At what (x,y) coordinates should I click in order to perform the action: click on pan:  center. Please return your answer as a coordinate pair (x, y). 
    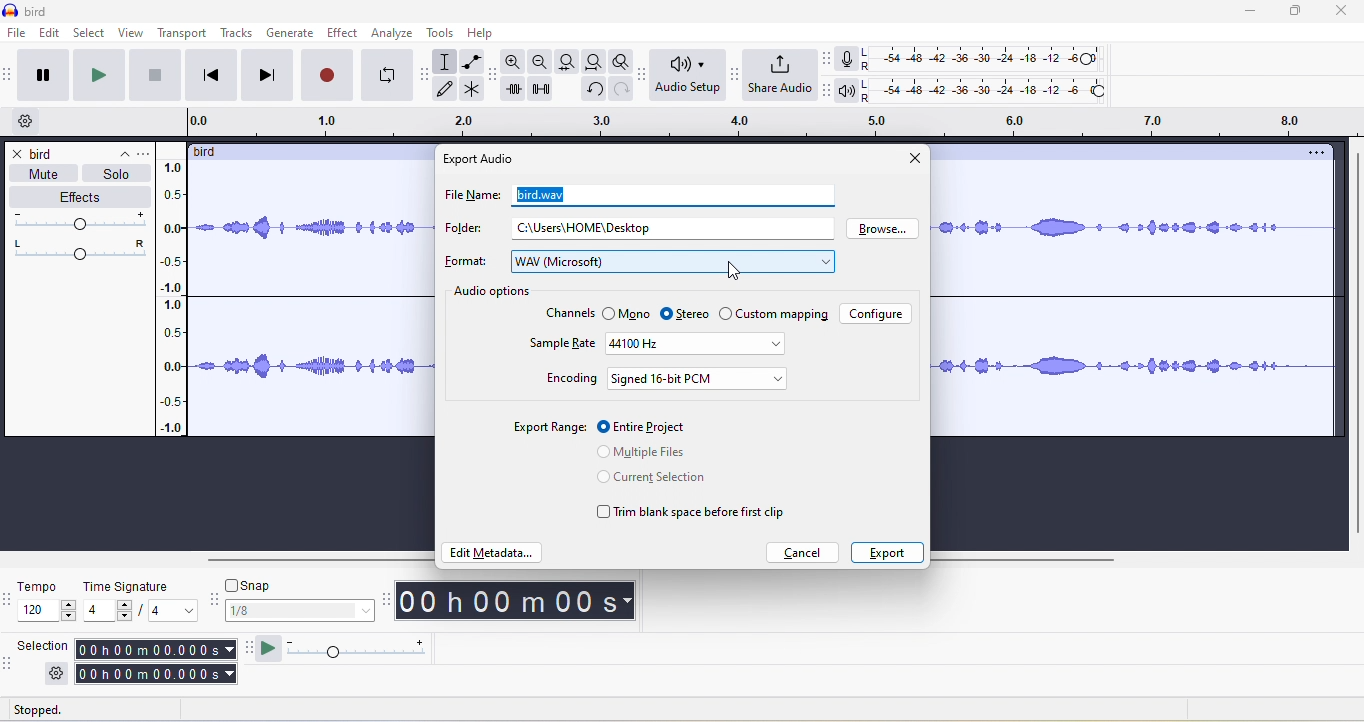
    Looking at the image, I should click on (80, 248).